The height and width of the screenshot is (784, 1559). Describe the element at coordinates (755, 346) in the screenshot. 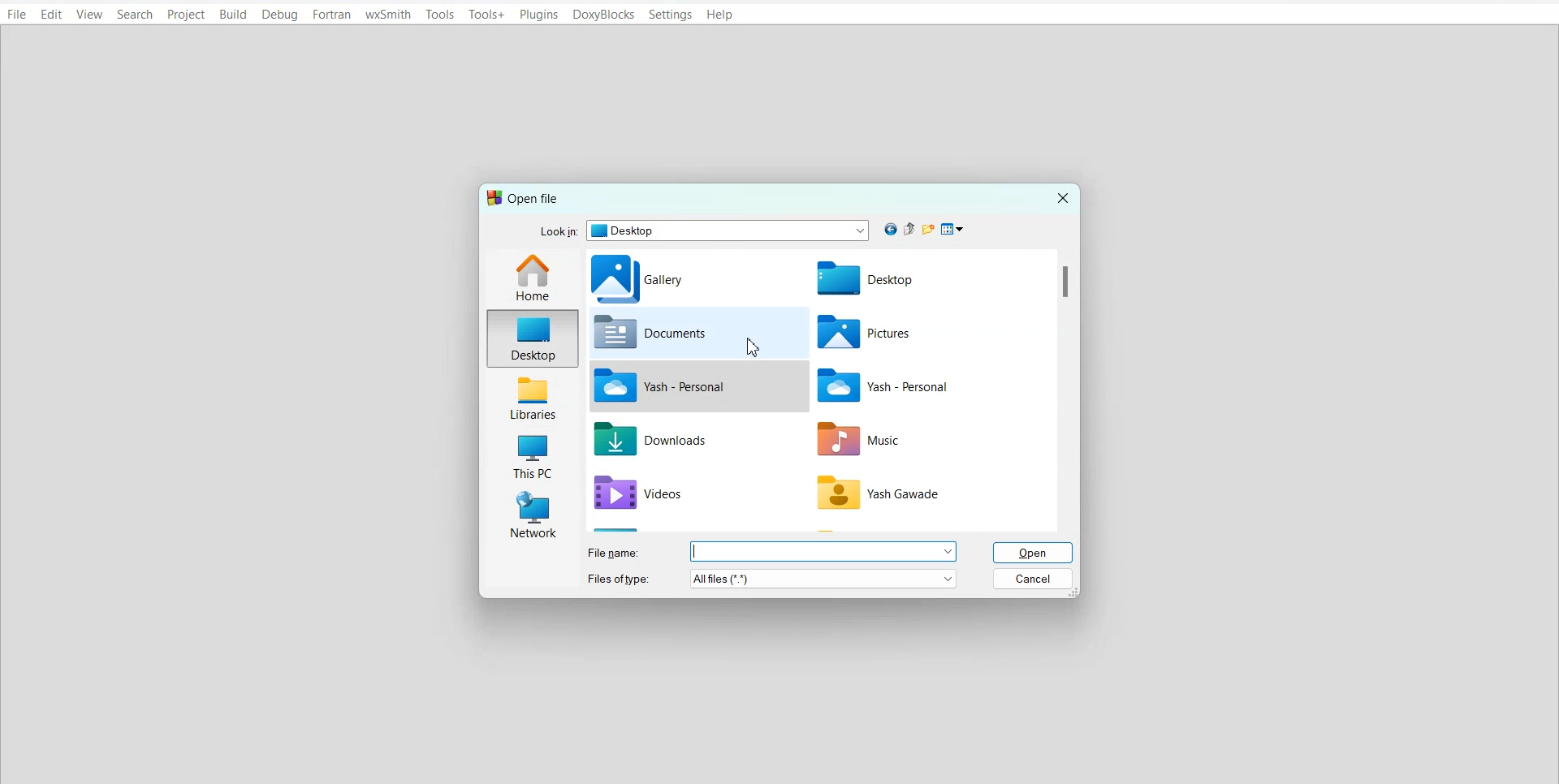

I see `cursor` at that location.